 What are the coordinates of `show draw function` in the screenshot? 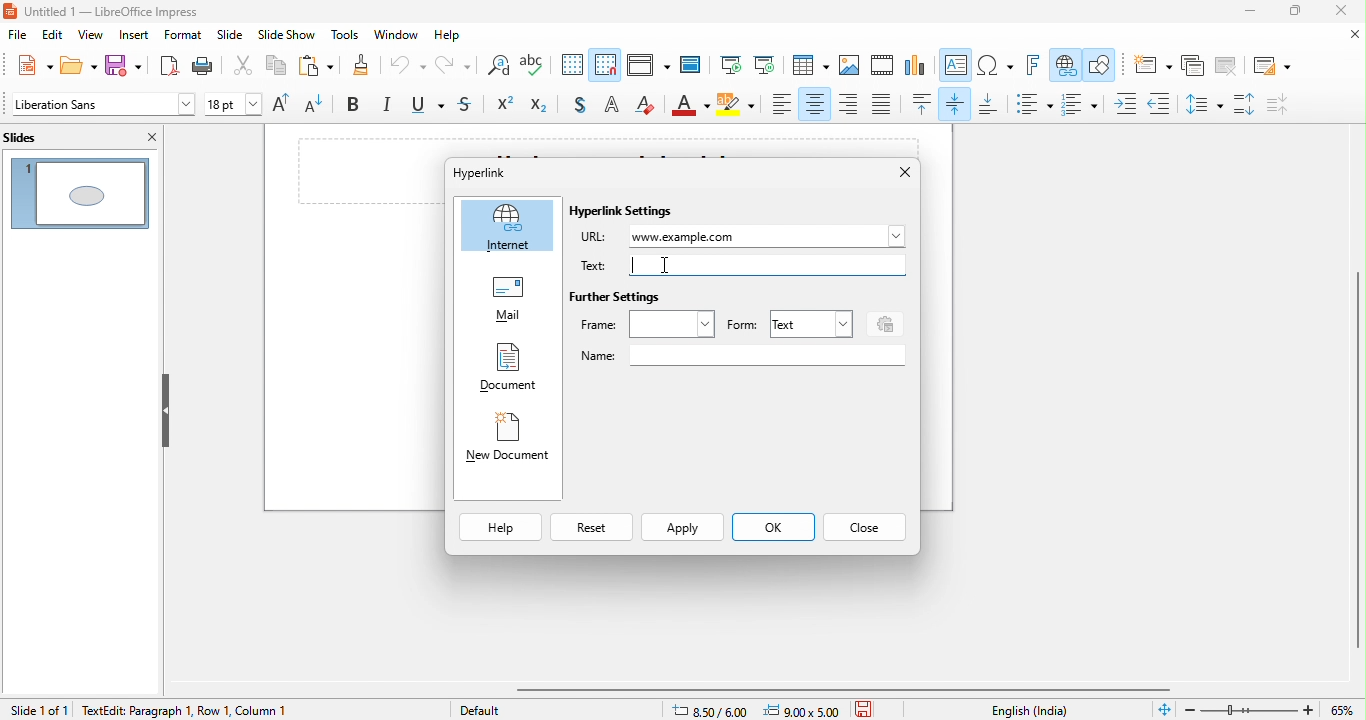 It's located at (1101, 67).